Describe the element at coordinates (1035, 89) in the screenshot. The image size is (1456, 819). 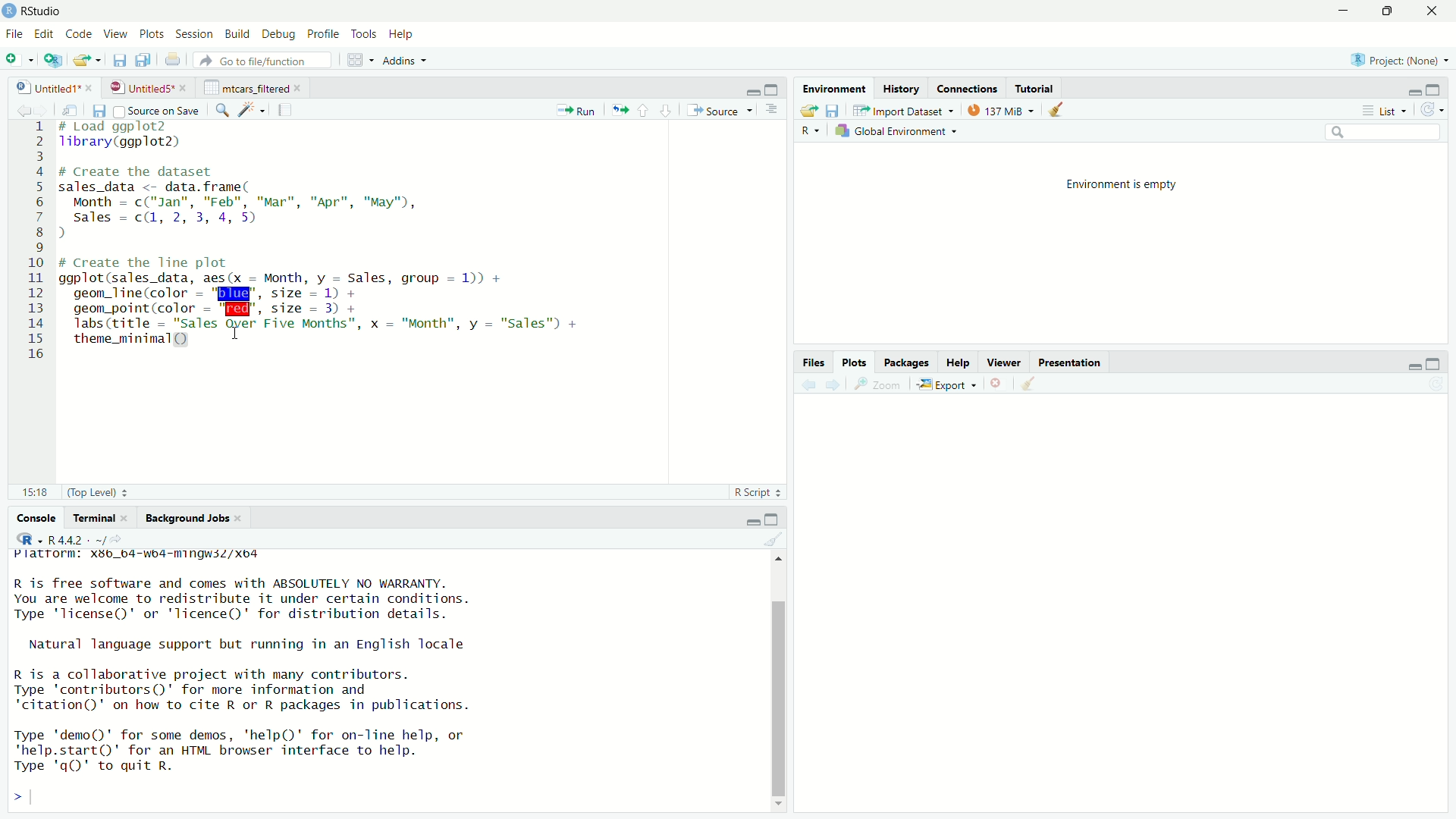
I see `Tutorial` at that location.